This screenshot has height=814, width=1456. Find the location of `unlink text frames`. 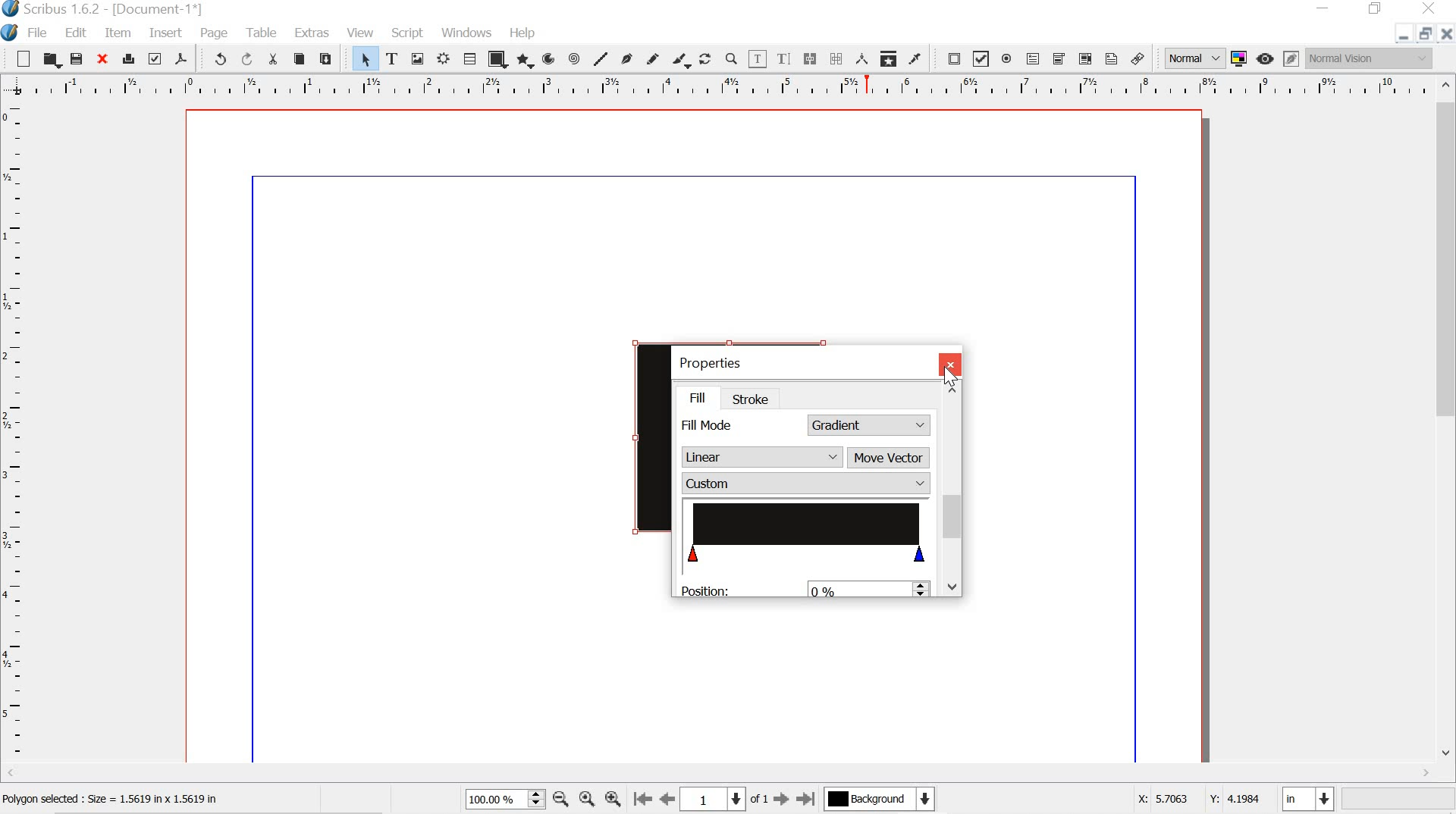

unlink text frames is located at coordinates (836, 57).